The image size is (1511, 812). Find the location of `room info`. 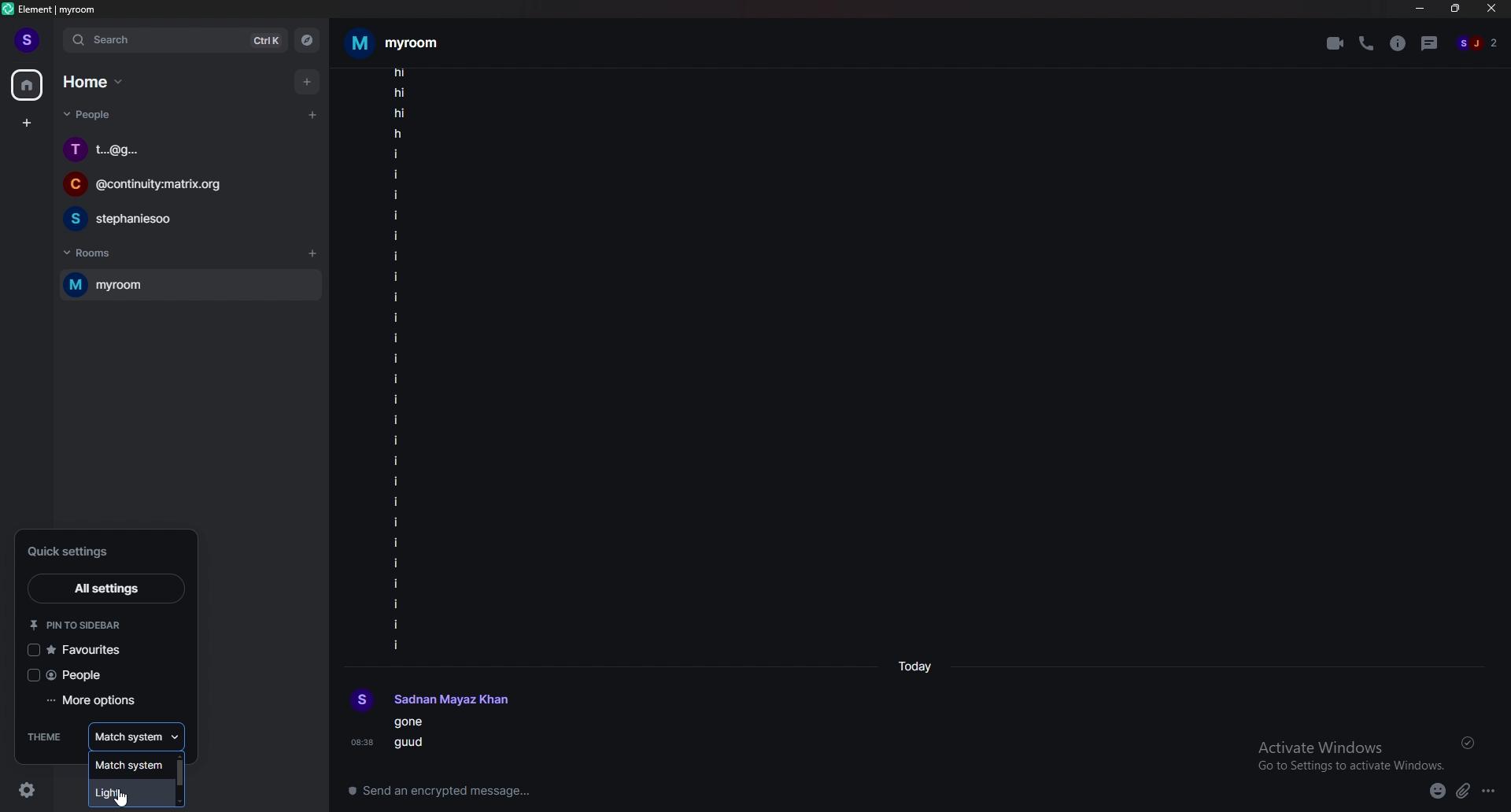

room info is located at coordinates (1400, 42).